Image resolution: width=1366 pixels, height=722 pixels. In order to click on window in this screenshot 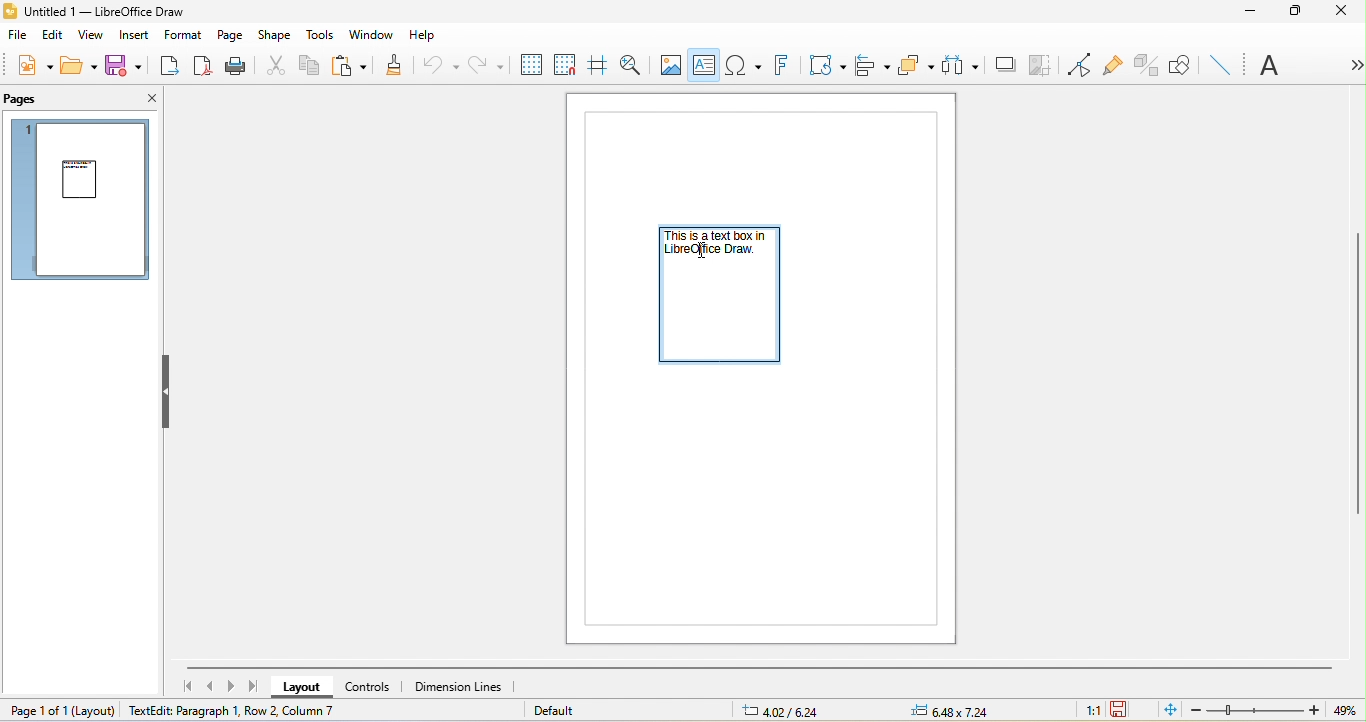, I will do `click(371, 36)`.